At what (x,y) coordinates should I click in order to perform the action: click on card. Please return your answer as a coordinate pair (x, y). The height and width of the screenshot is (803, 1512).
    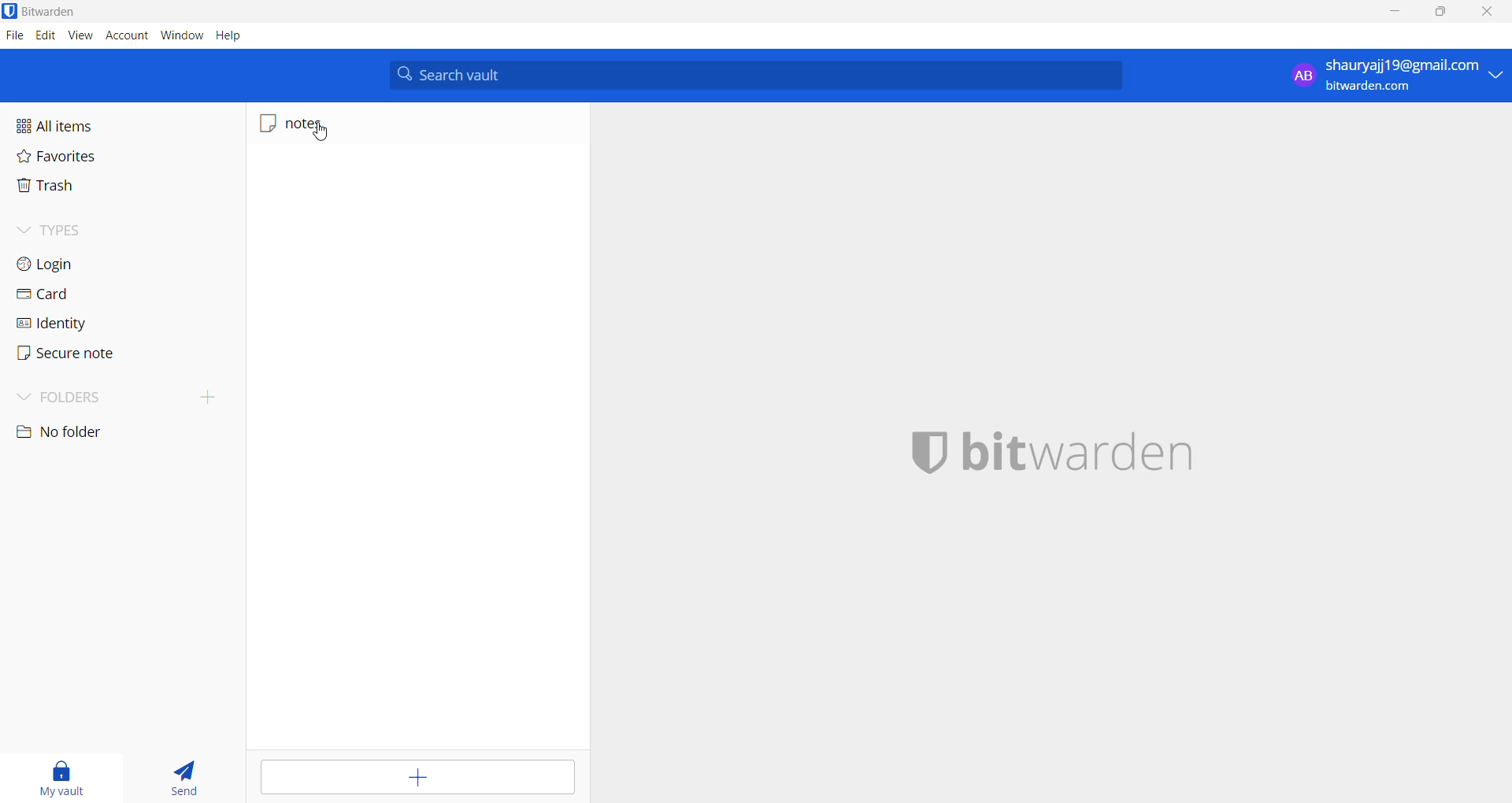
    Looking at the image, I should click on (69, 298).